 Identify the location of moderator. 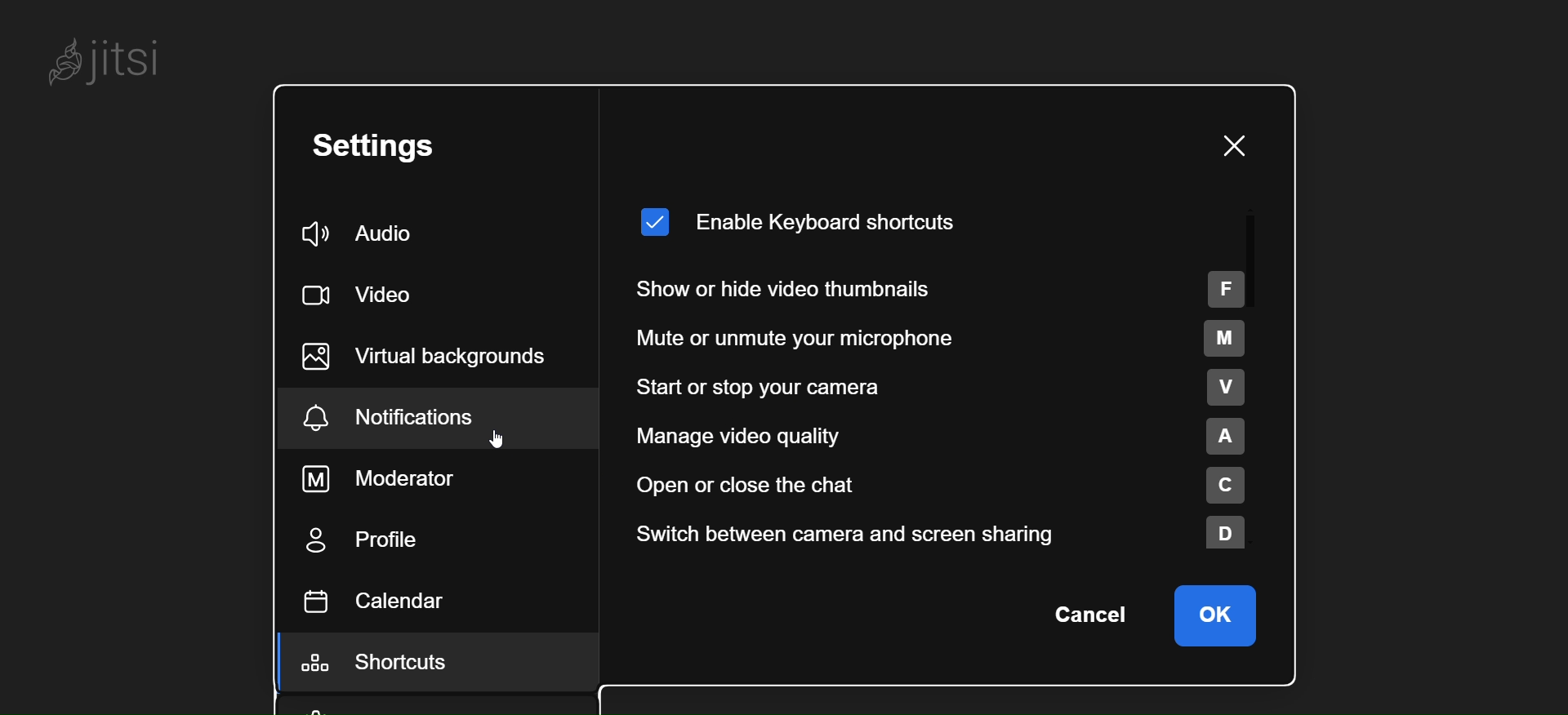
(383, 479).